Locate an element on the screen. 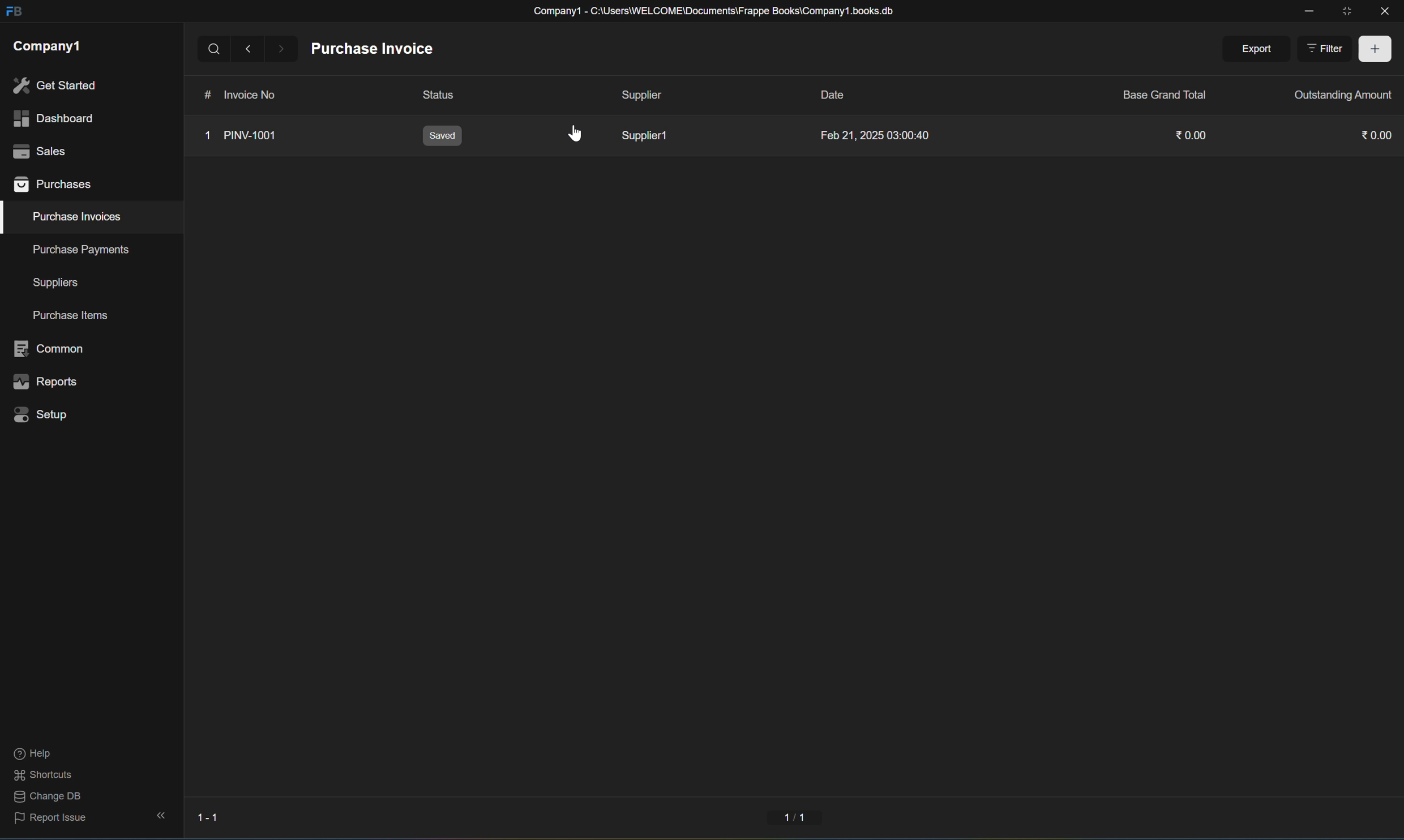 This screenshot has width=1404, height=840. 1 PINV-1001 is located at coordinates (242, 135).